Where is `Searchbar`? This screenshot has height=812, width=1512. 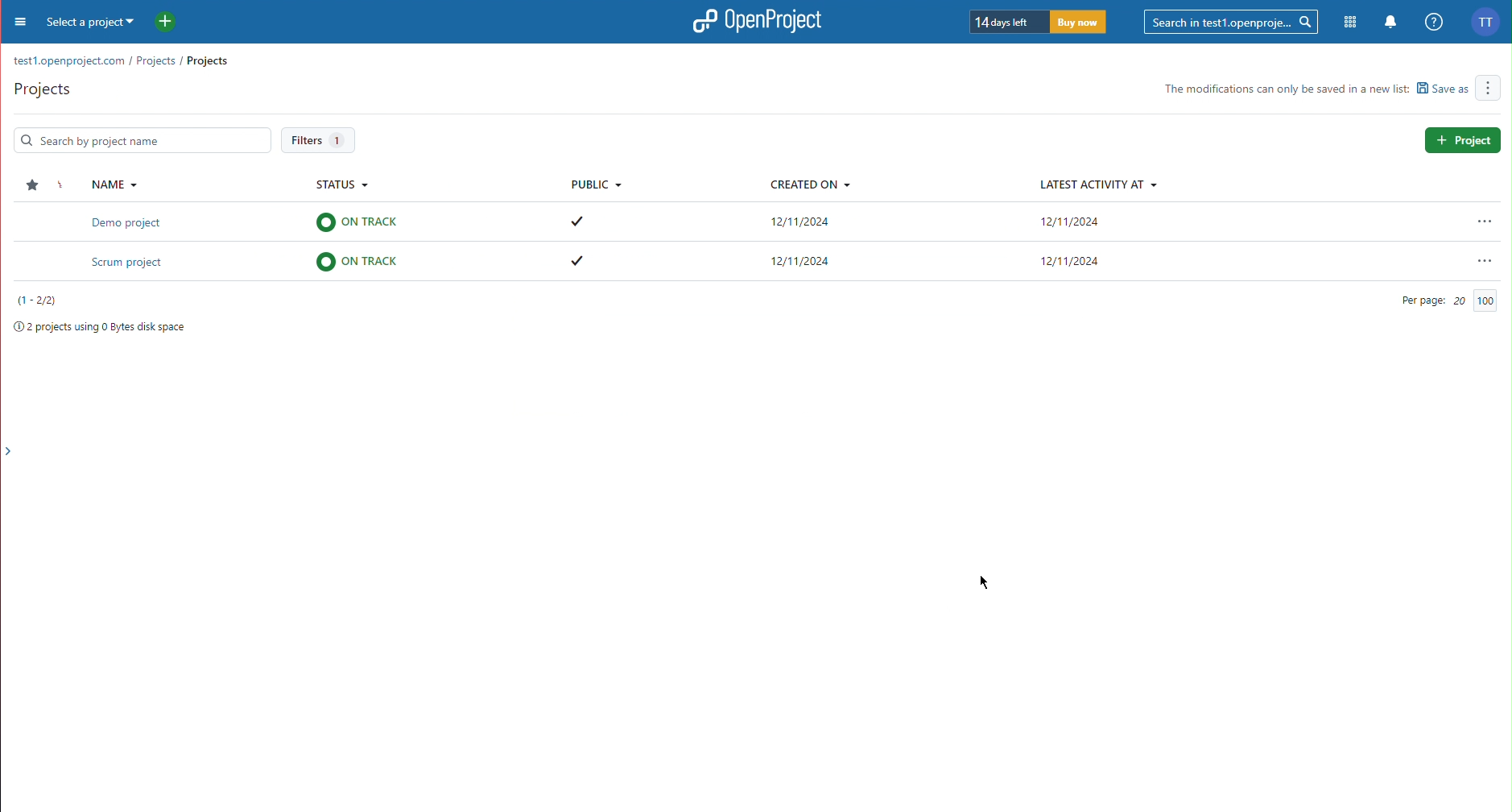
Searchbar is located at coordinates (1225, 22).